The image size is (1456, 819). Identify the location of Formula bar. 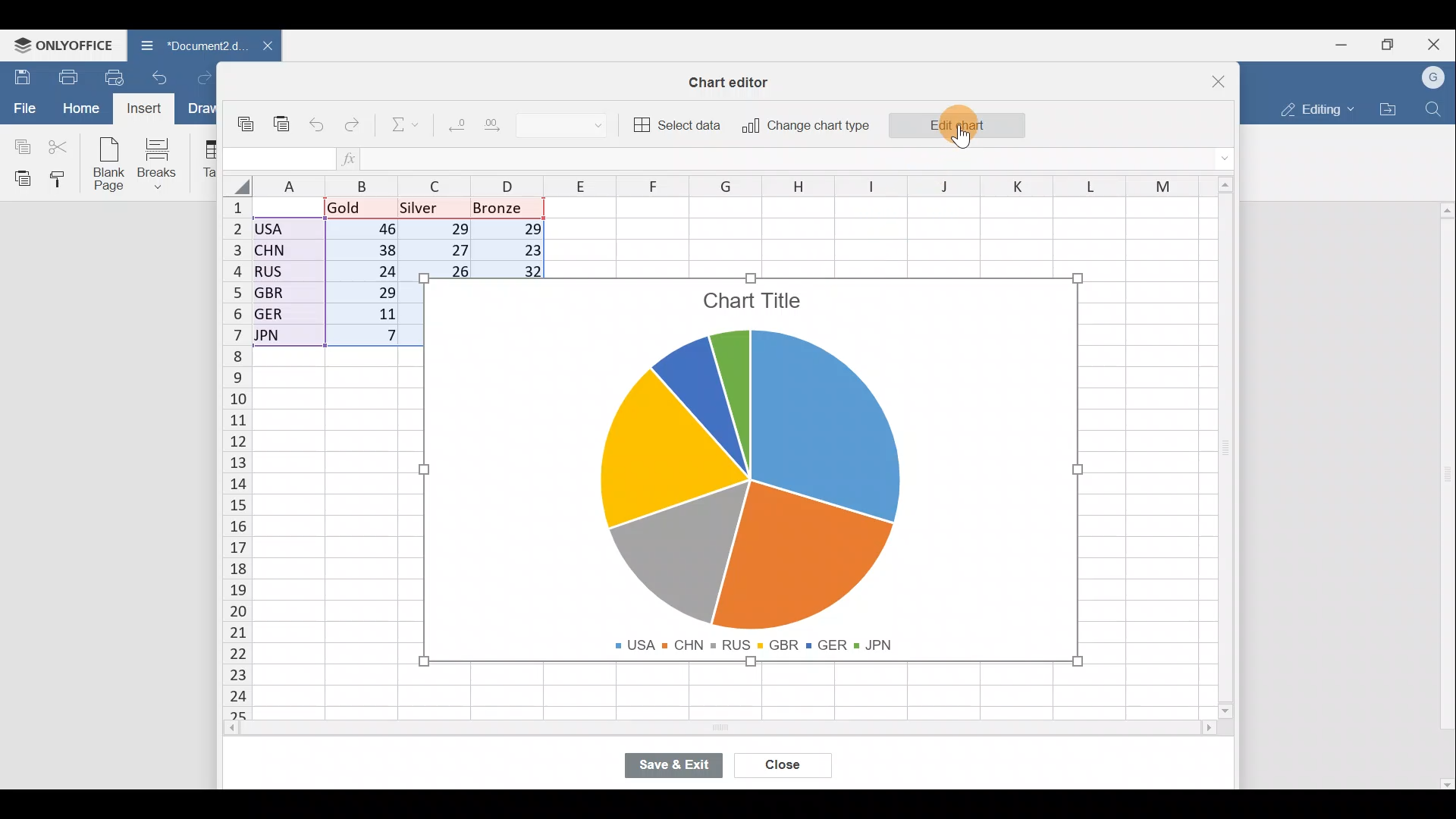
(804, 158).